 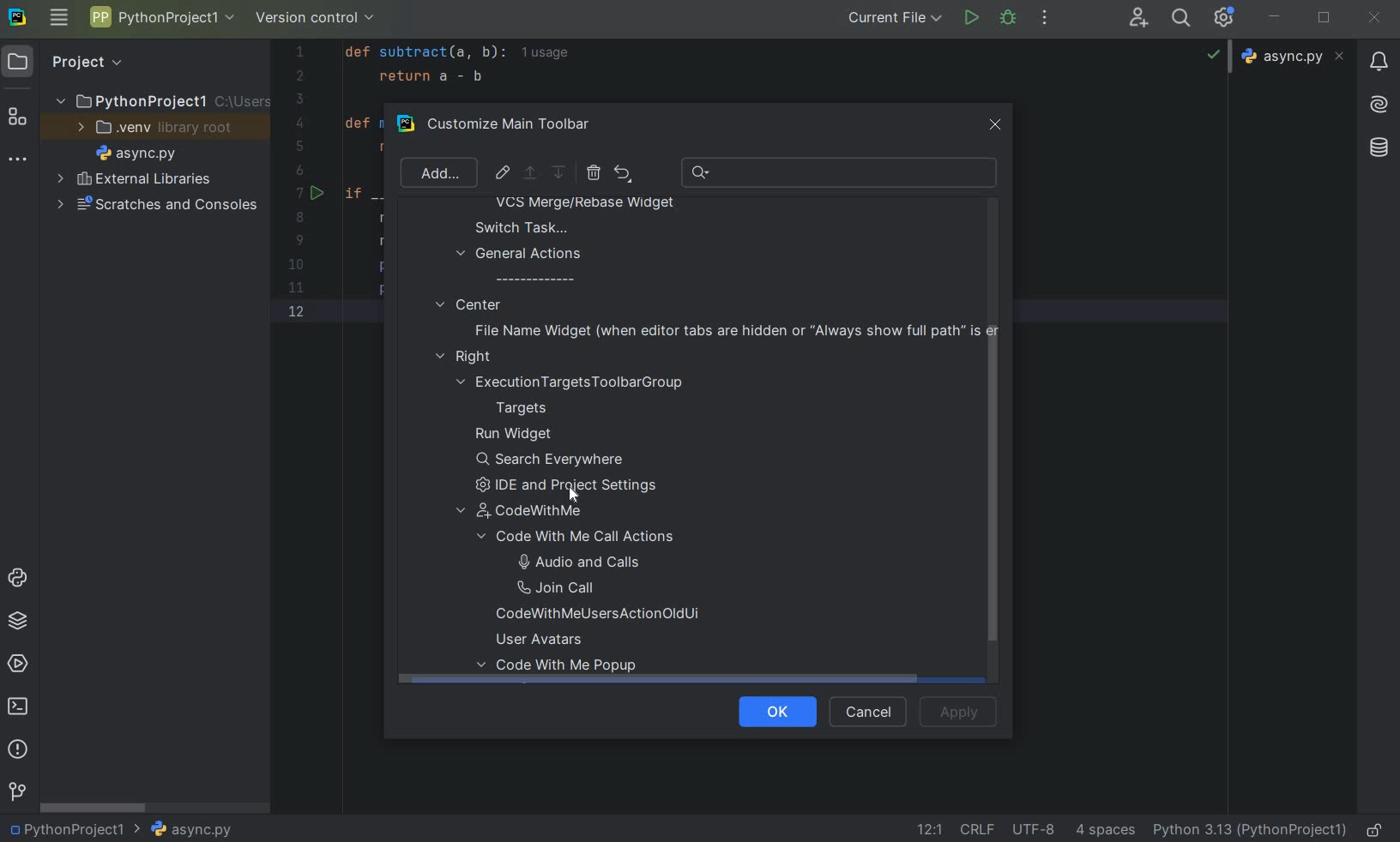 What do you see at coordinates (990, 498) in the screenshot?
I see `scrollbar` at bounding box center [990, 498].